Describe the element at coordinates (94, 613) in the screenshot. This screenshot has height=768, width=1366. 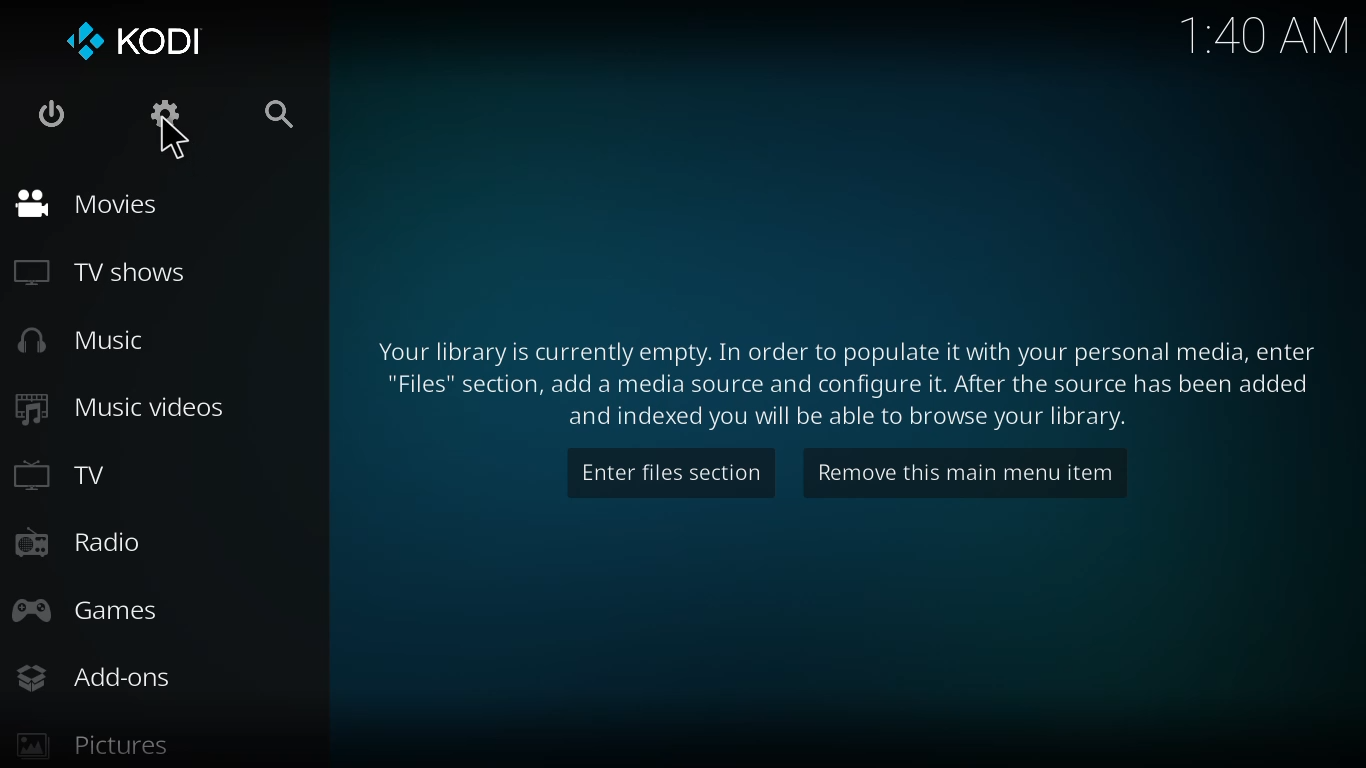
I see `games` at that location.